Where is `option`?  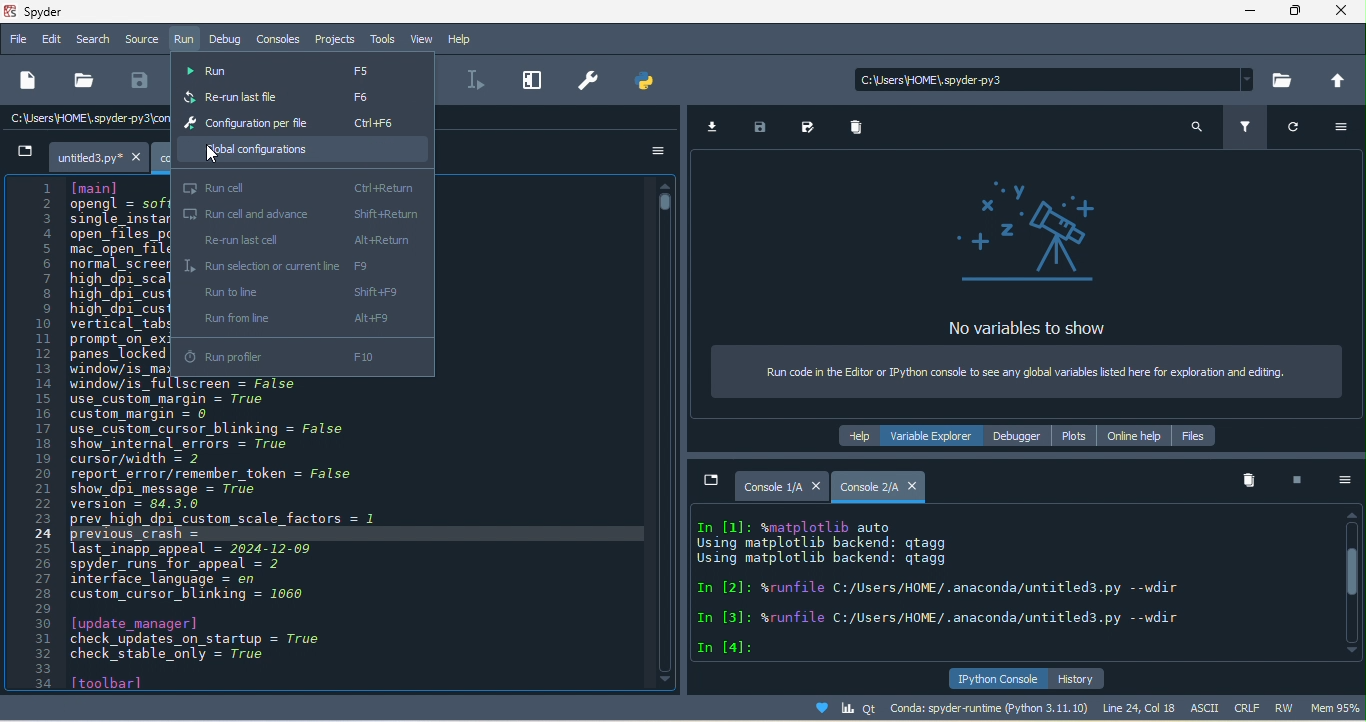 option is located at coordinates (660, 153).